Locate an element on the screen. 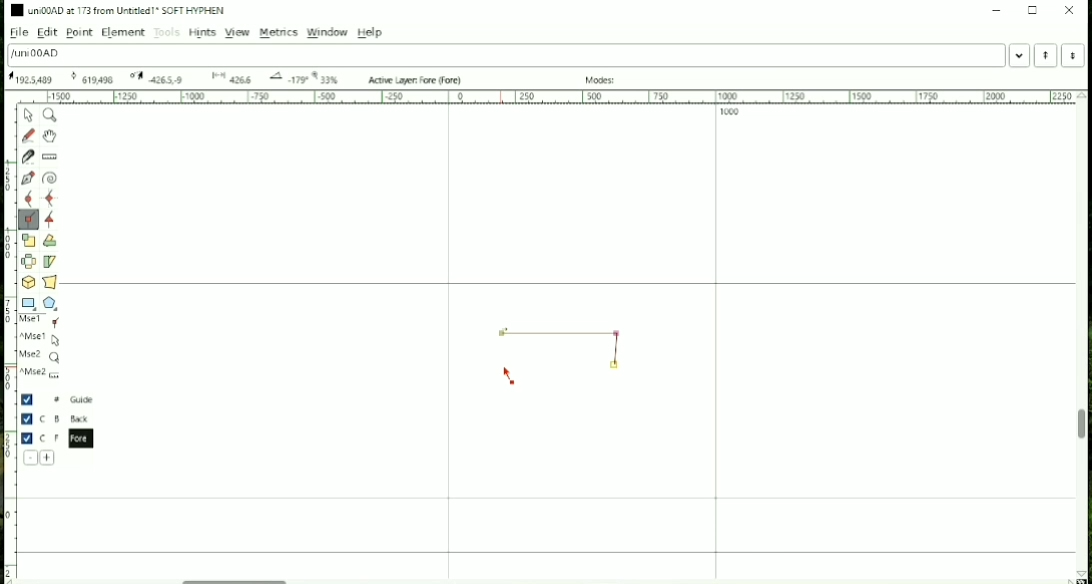 This screenshot has height=584, width=1092. Back is located at coordinates (58, 418).